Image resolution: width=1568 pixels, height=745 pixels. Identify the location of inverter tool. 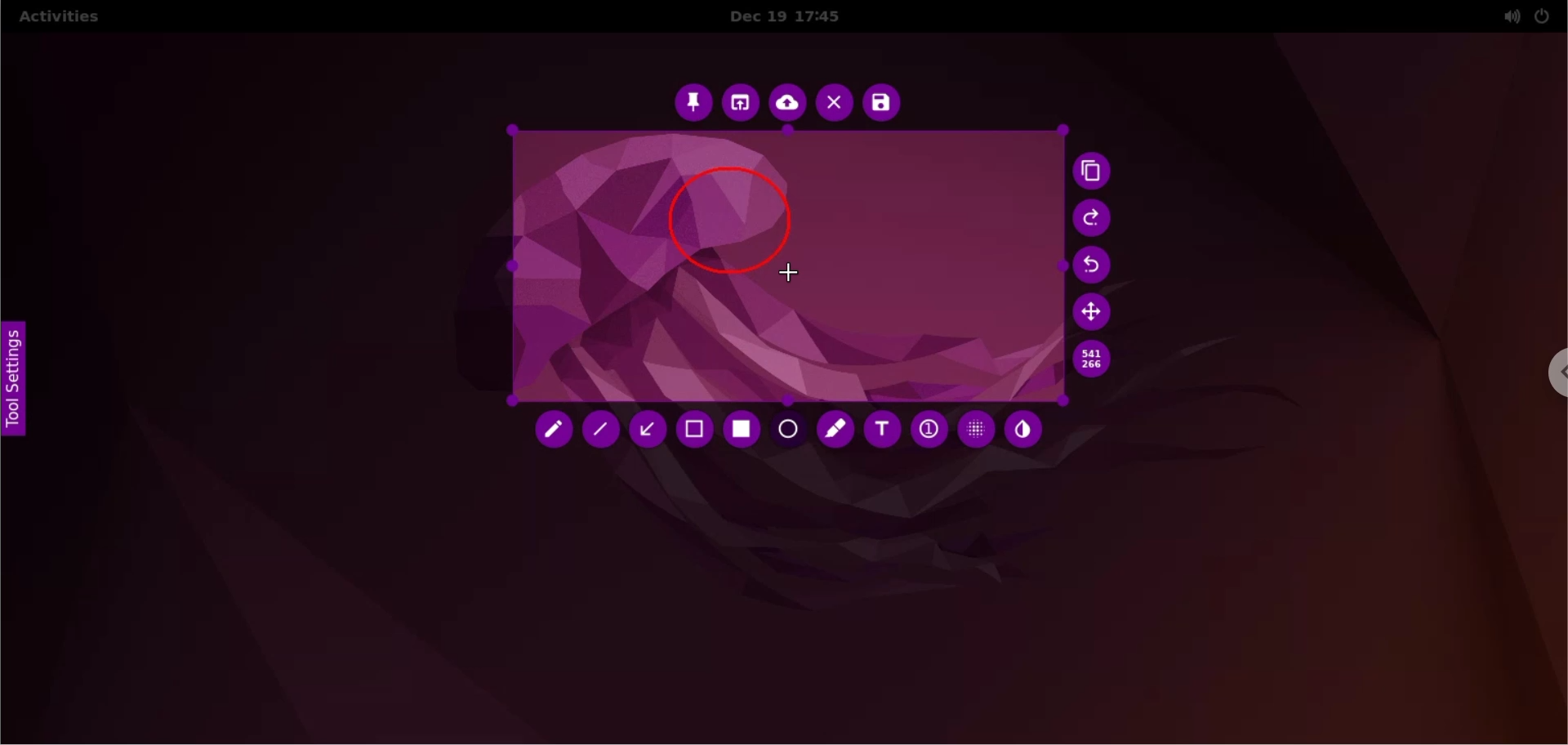
(1023, 430).